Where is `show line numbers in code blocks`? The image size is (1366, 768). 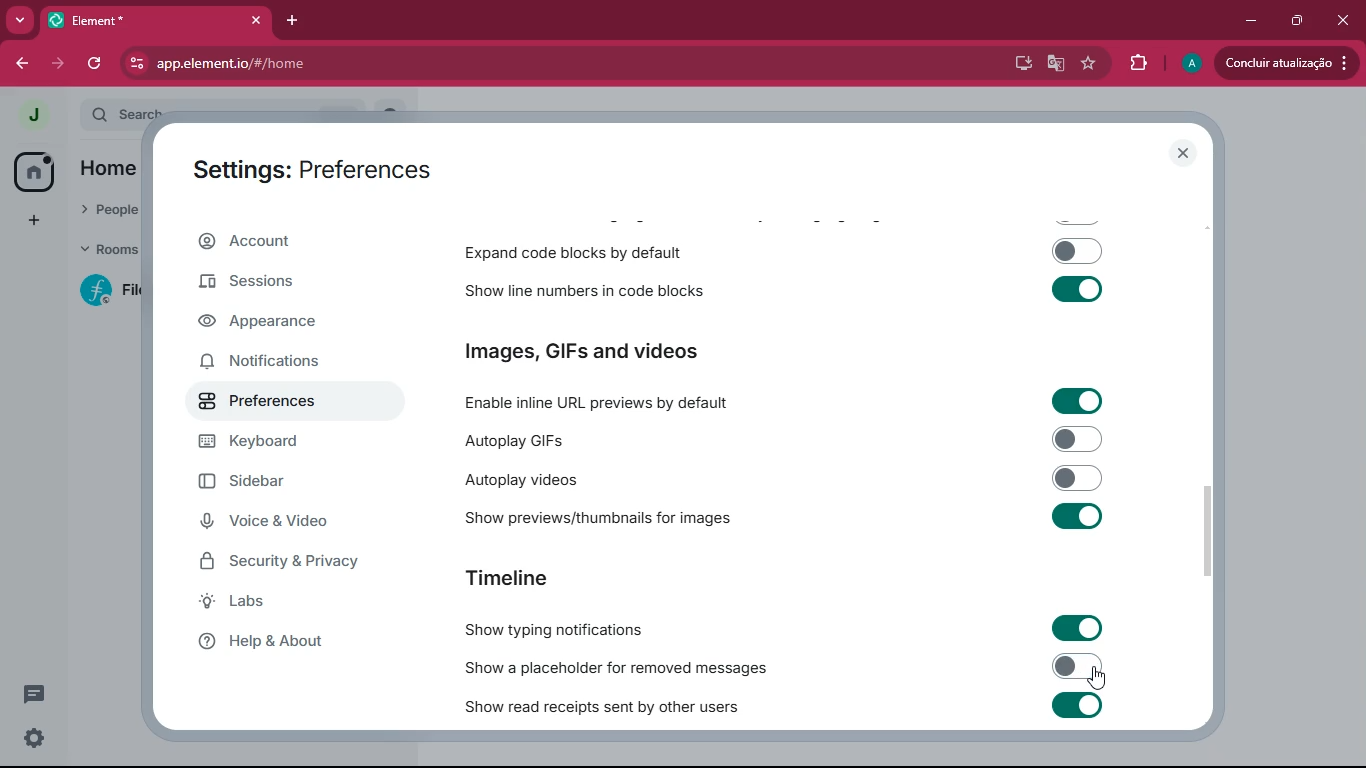 show line numbers in code blocks is located at coordinates (582, 289).